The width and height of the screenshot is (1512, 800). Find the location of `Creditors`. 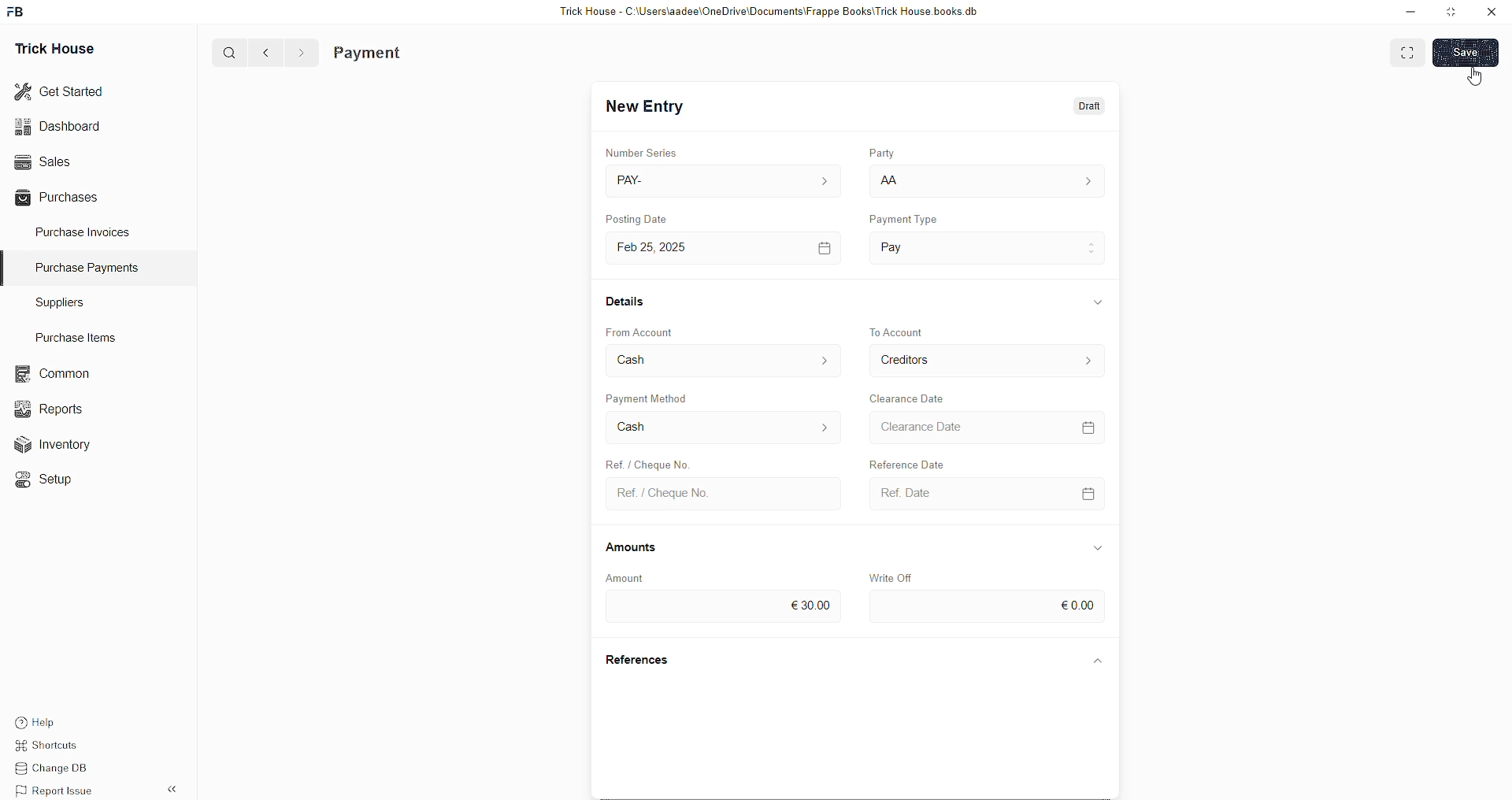

Creditors is located at coordinates (915, 361).